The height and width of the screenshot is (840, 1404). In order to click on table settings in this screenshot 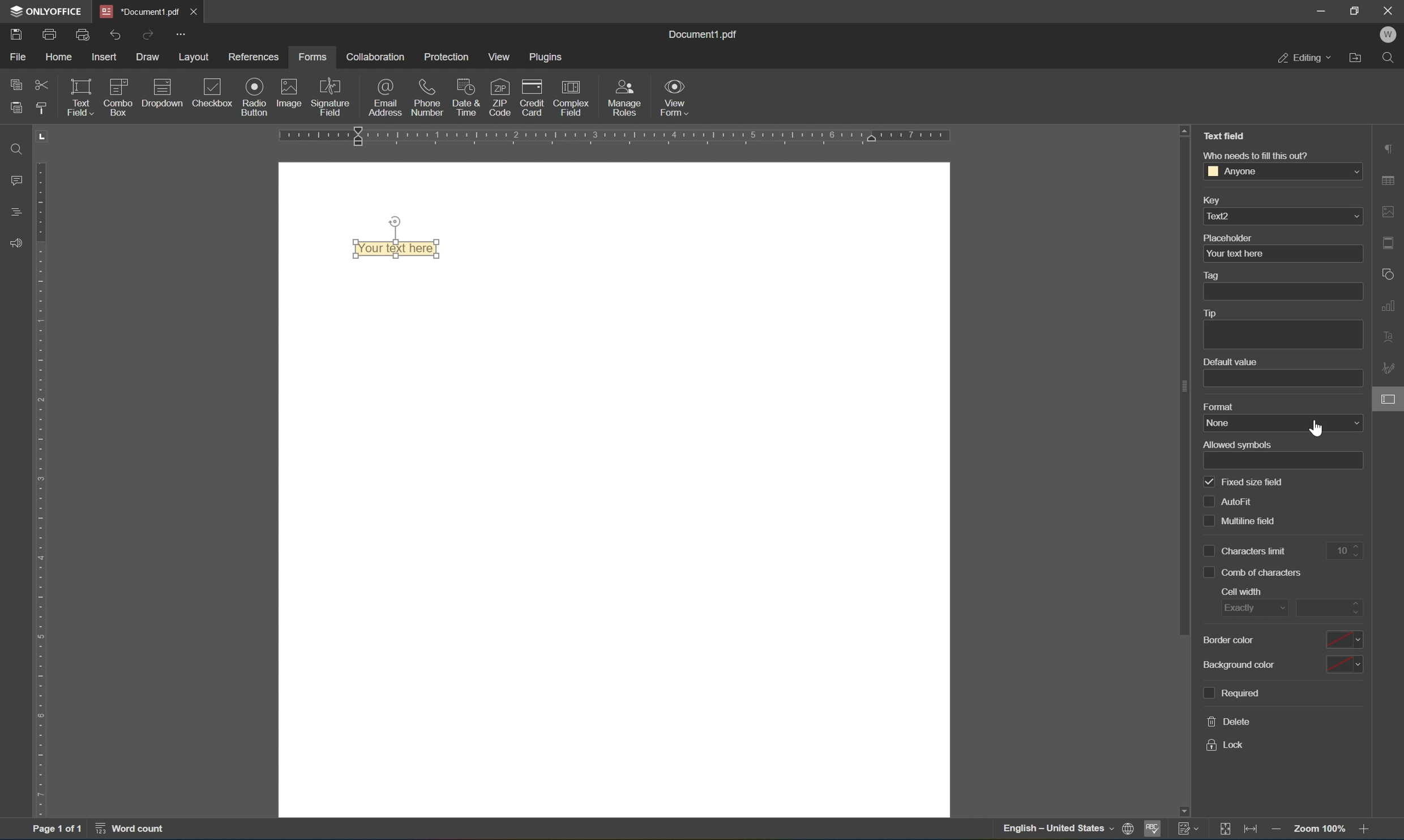, I will do `click(1390, 179)`.